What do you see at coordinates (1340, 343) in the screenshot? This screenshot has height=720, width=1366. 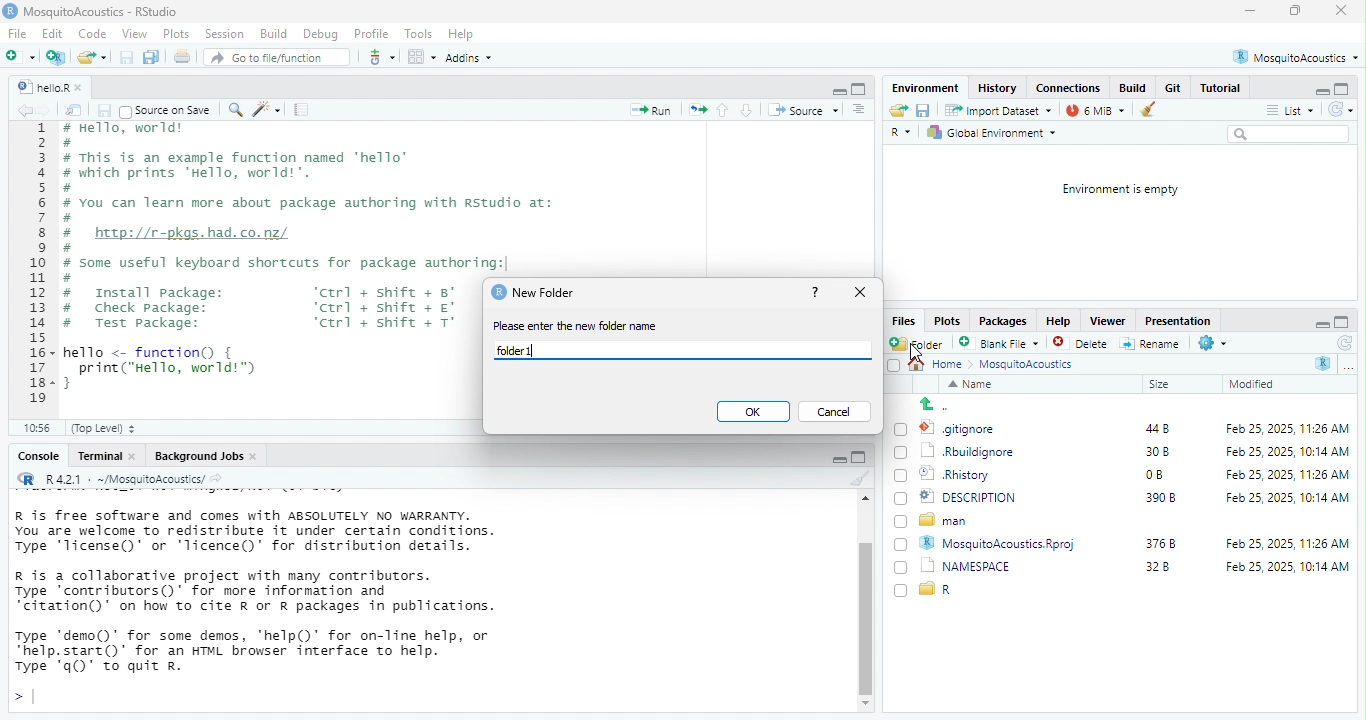 I see `refresh` at bounding box center [1340, 343].